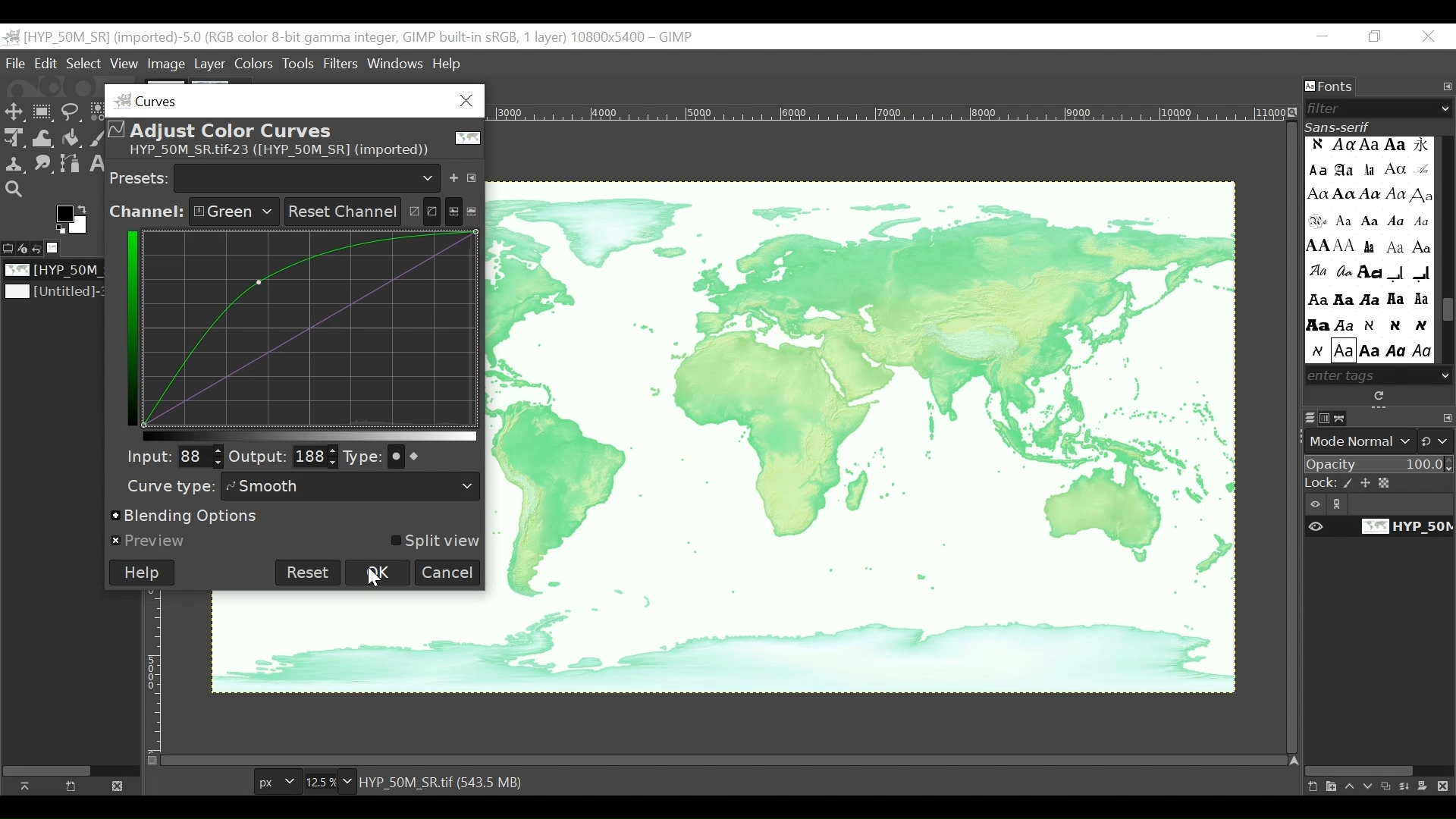  What do you see at coordinates (292, 140) in the screenshot?
I see `Adjust Color Curves for the Image` at bounding box center [292, 140].